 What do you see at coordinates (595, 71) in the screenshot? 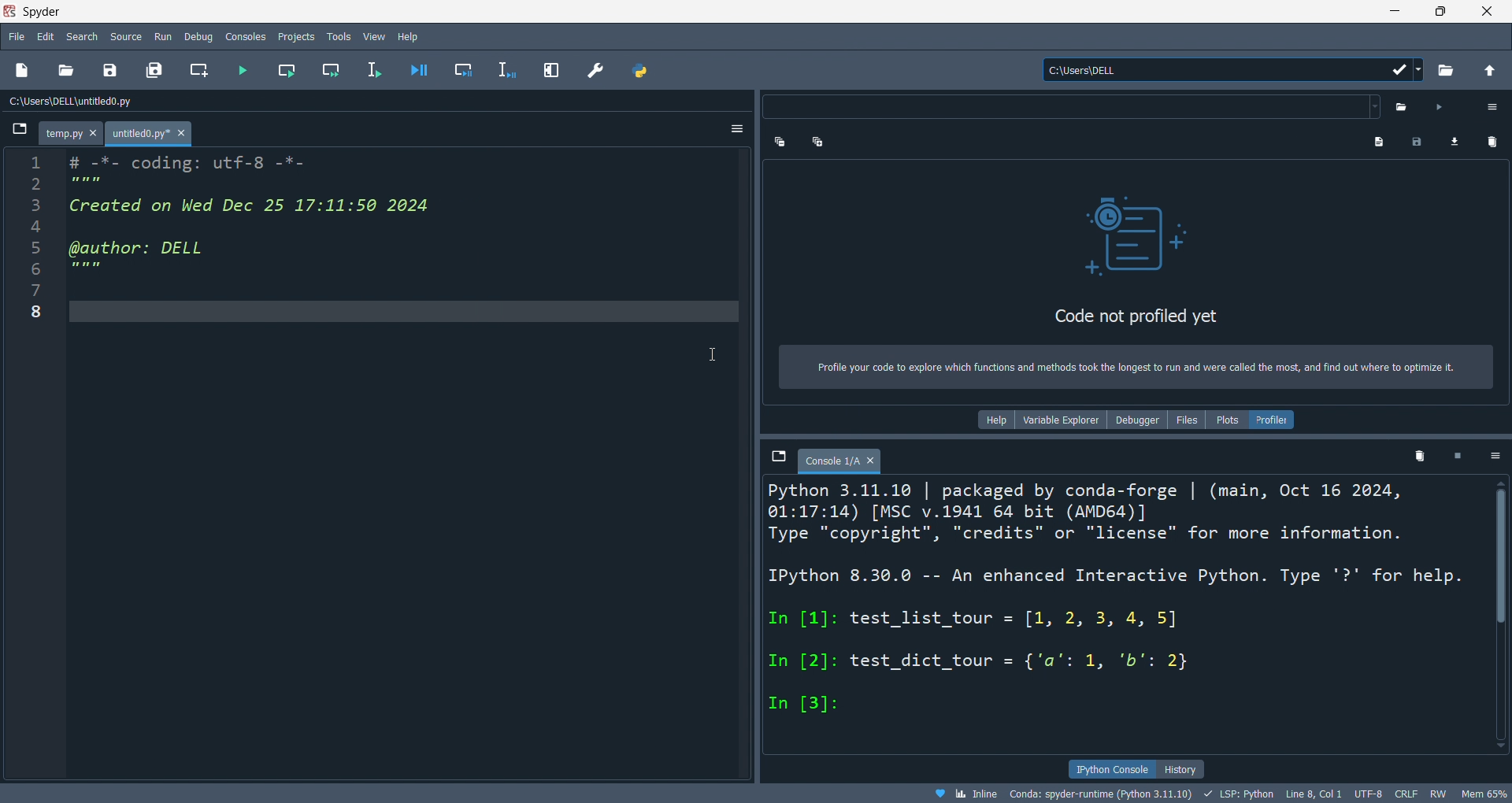
I see `preference` at bounding box center [595, 71].